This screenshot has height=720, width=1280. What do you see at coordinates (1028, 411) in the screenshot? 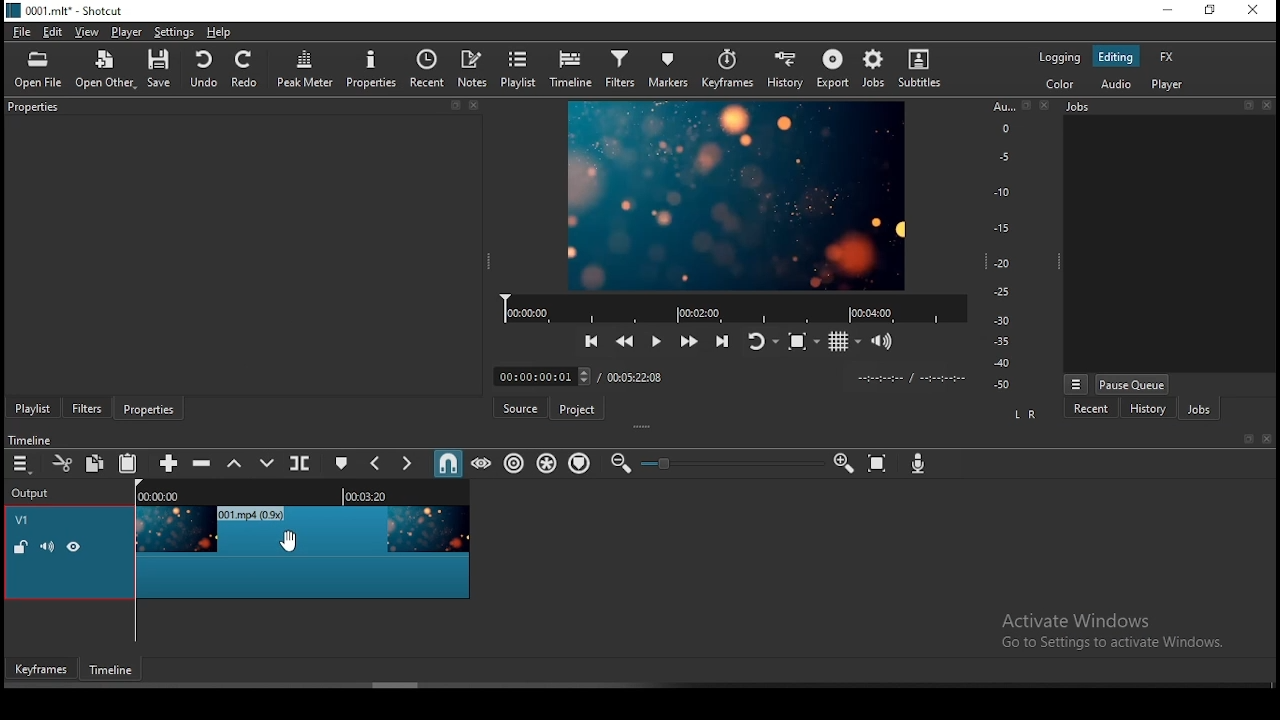
I see `LR` at bounding box center [1028, 411].